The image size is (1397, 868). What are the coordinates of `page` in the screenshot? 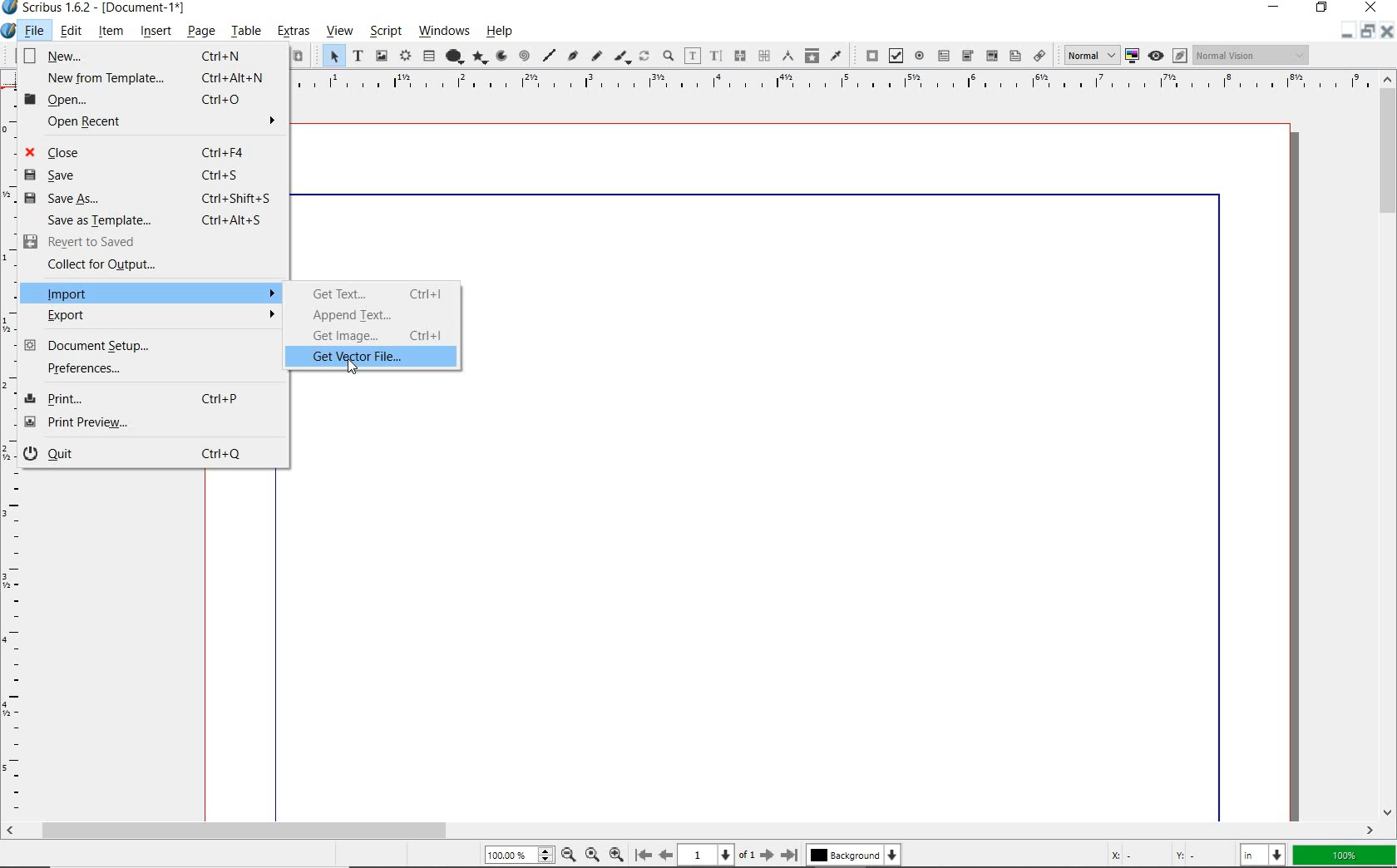 It's located at (200, 32).